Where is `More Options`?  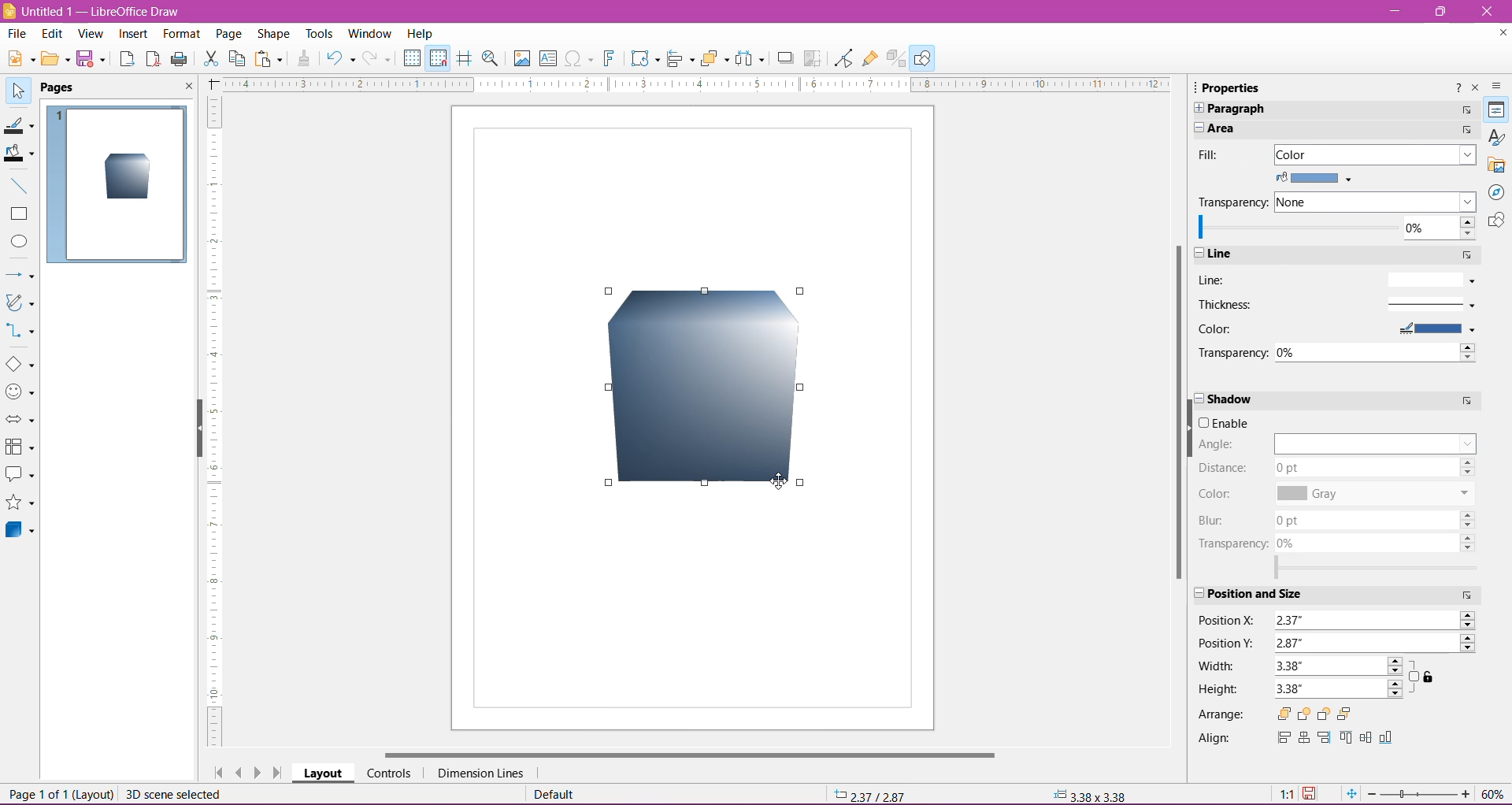
More Options is located at coordinates (1469, 108).